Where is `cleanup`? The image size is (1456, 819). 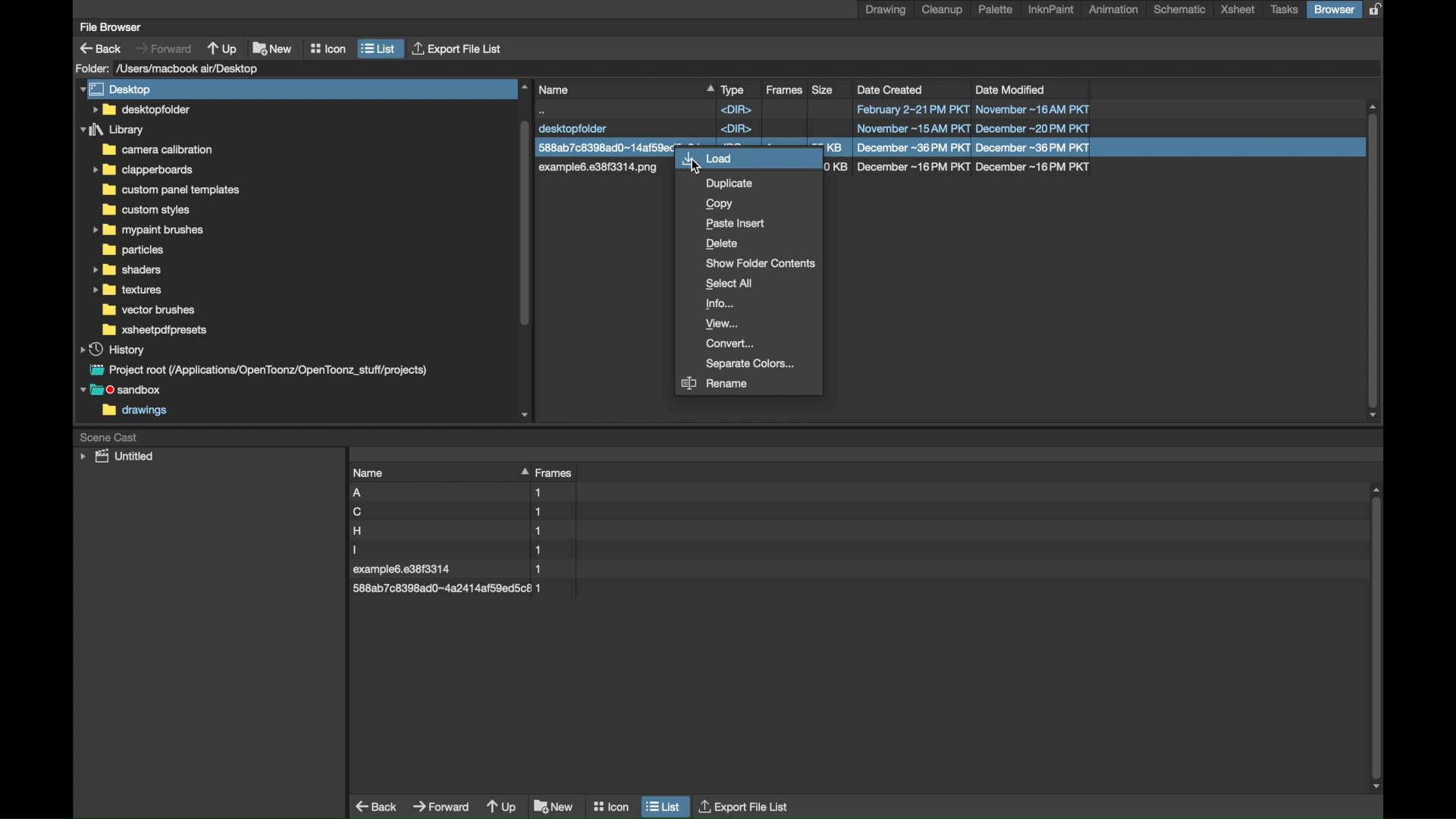
cleanup is located at coordinates (945, 10).